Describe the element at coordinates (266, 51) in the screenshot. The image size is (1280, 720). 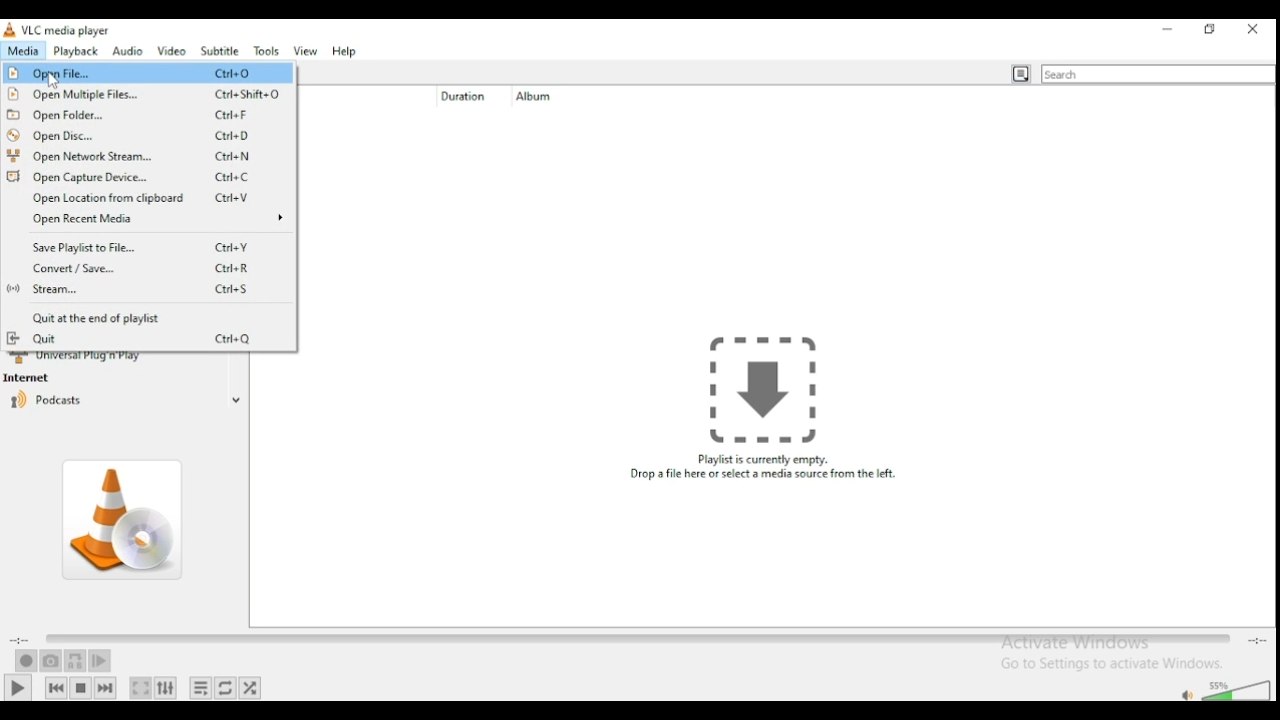
I see `tools` at that location.